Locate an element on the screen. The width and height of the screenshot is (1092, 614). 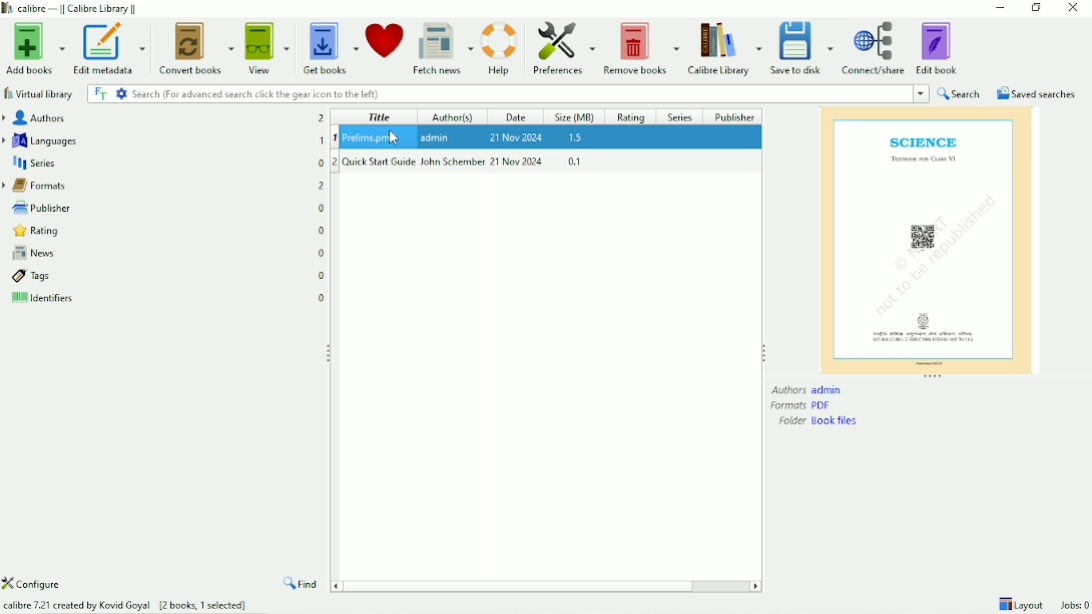
1 is located at coordinates (322, 140).